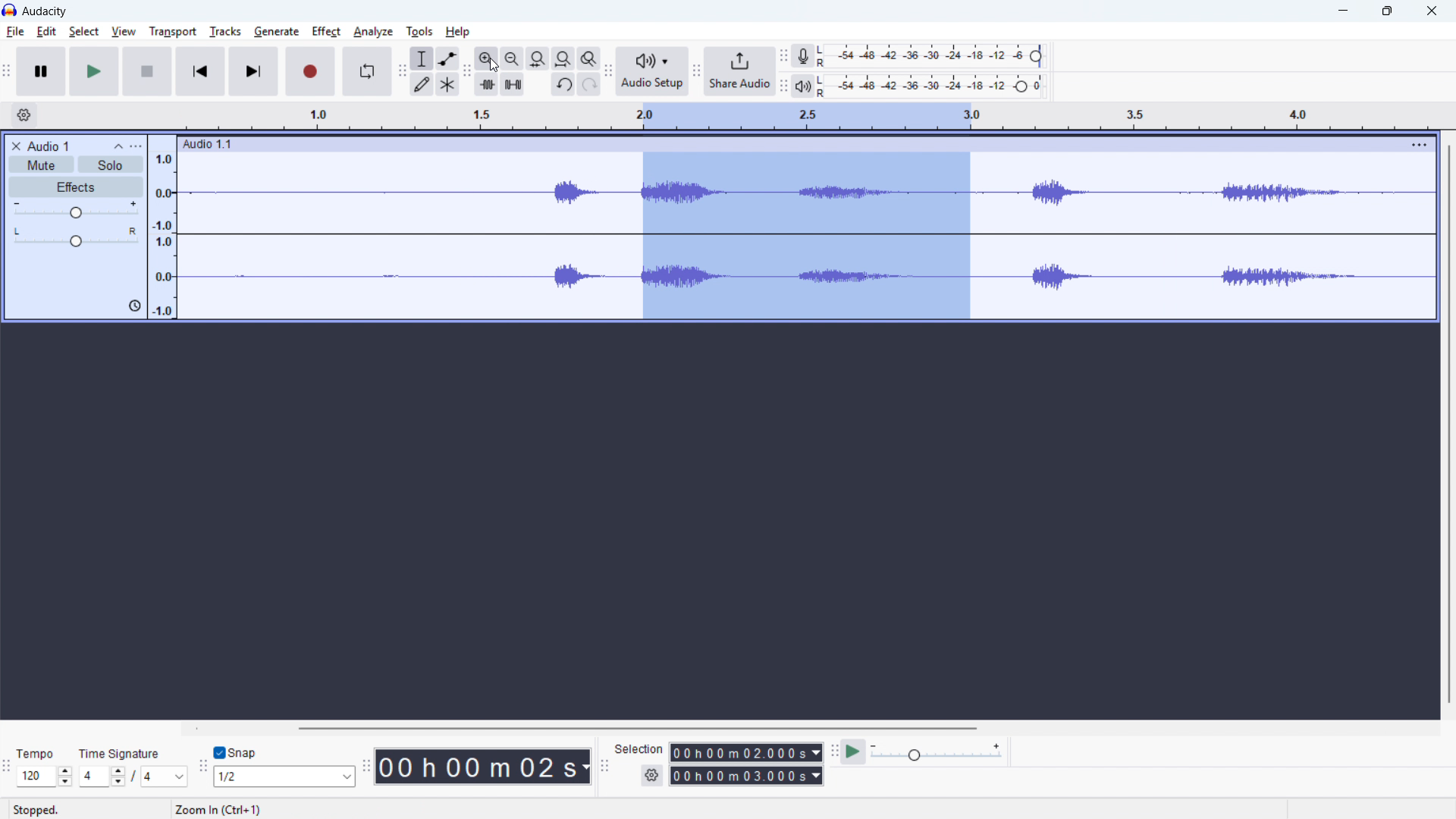  What do you see at coordinates (14, 32) in the screenshot?
I see `File` at bounding box center [14, 32].